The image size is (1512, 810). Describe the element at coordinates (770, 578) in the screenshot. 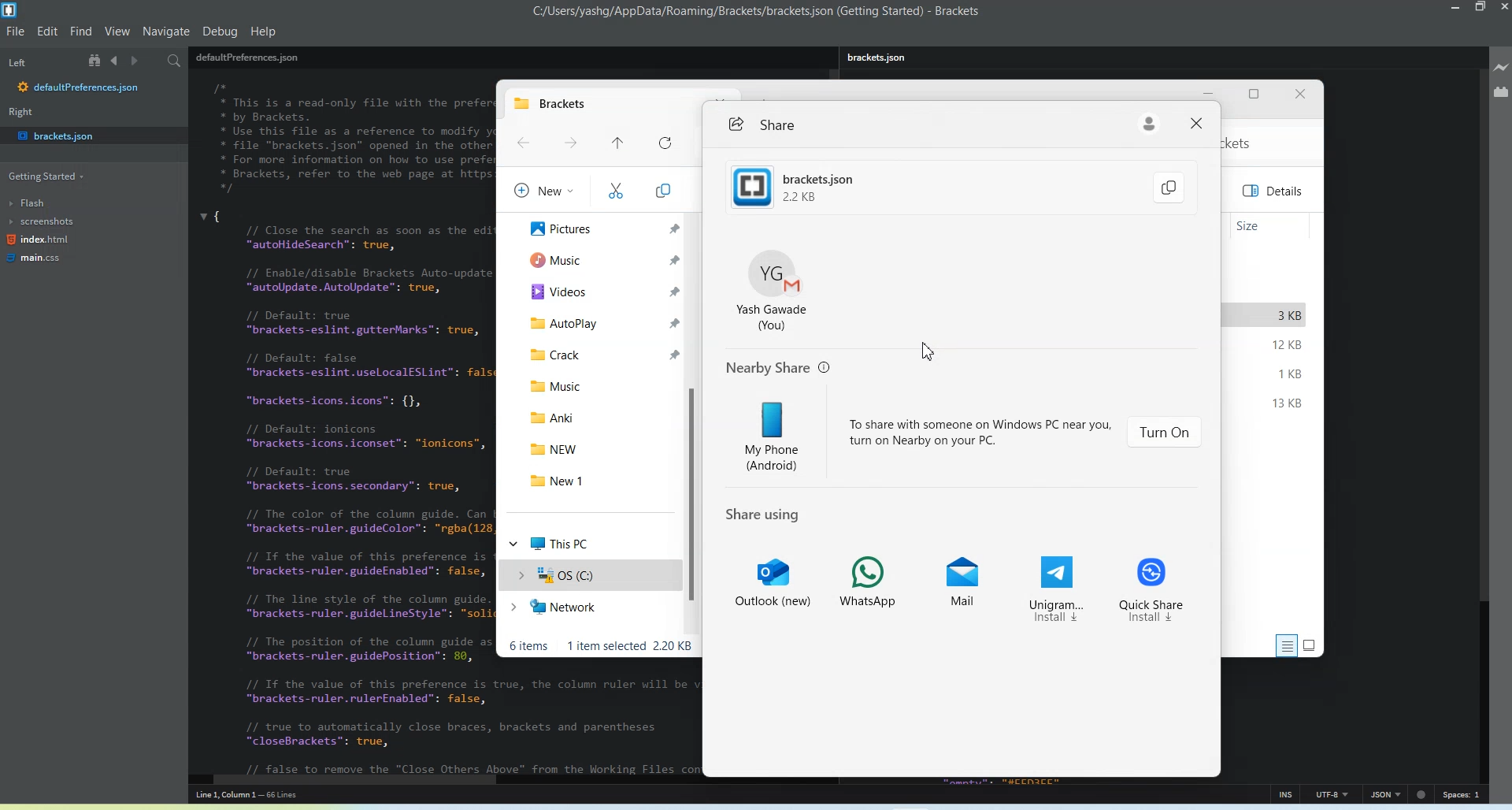

I see `Outlook` at that location.